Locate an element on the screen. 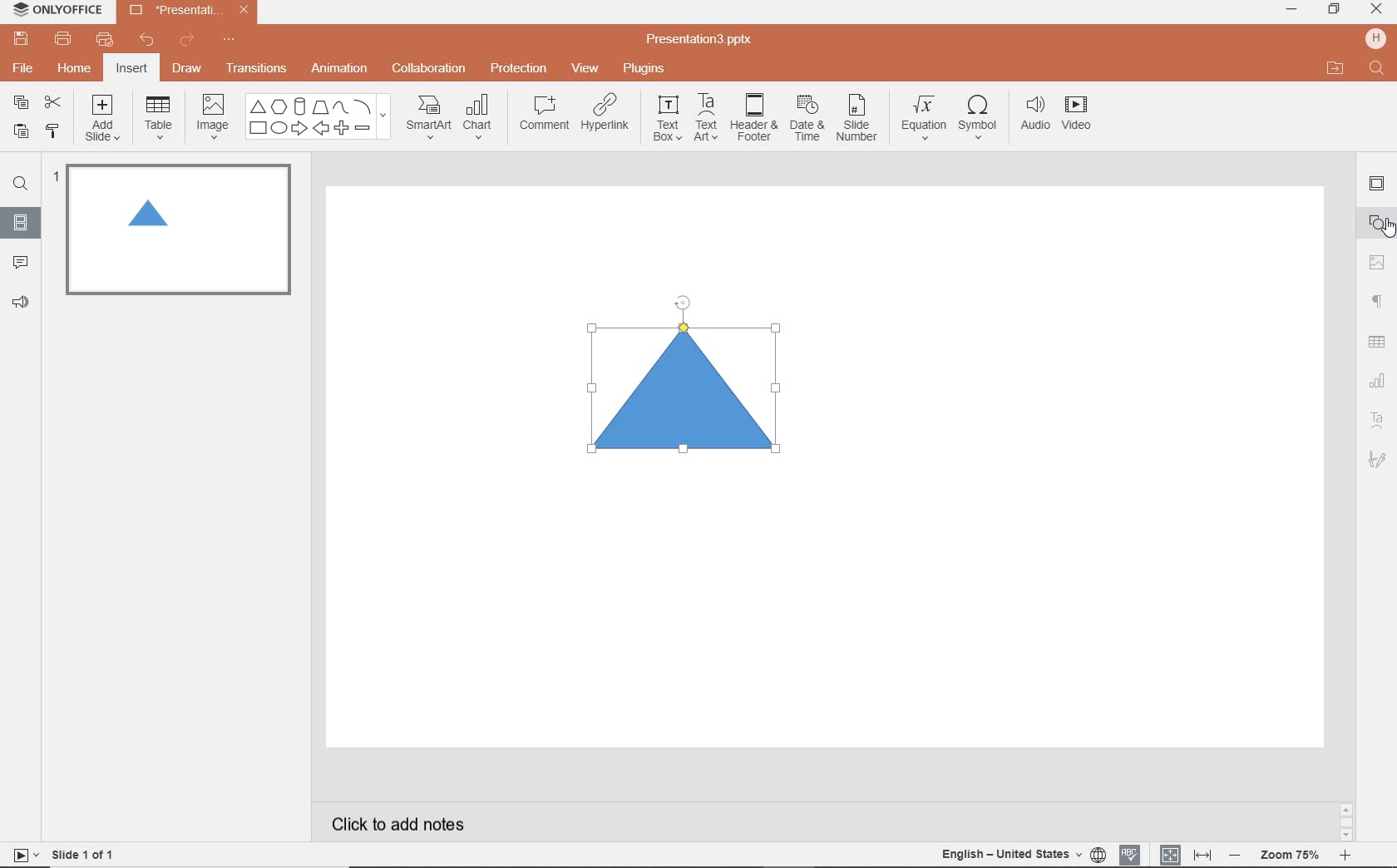  DRAW is located at coordinates (188, 70).